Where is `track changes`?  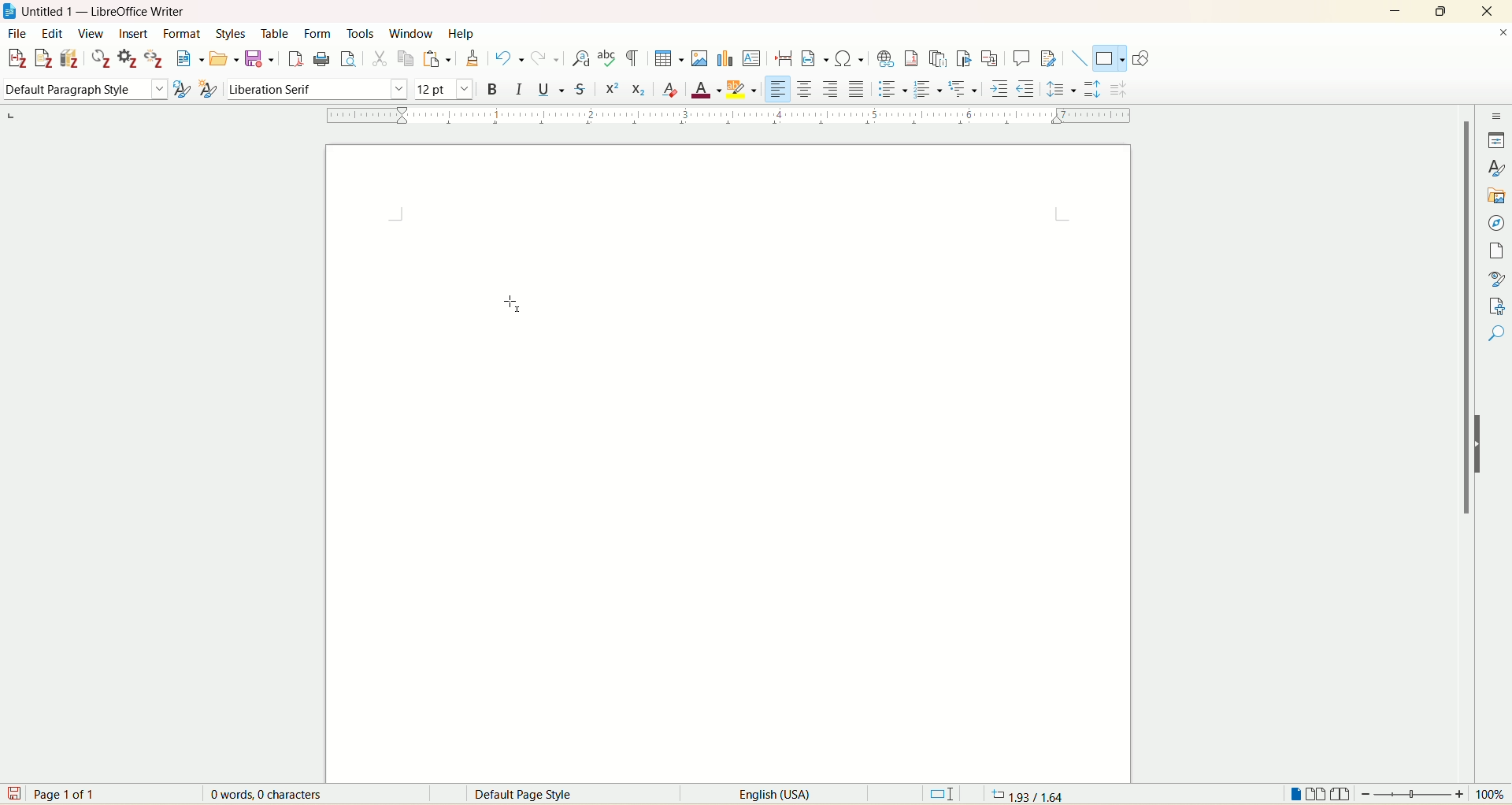
track changes is located at coordinates (1048, 57).